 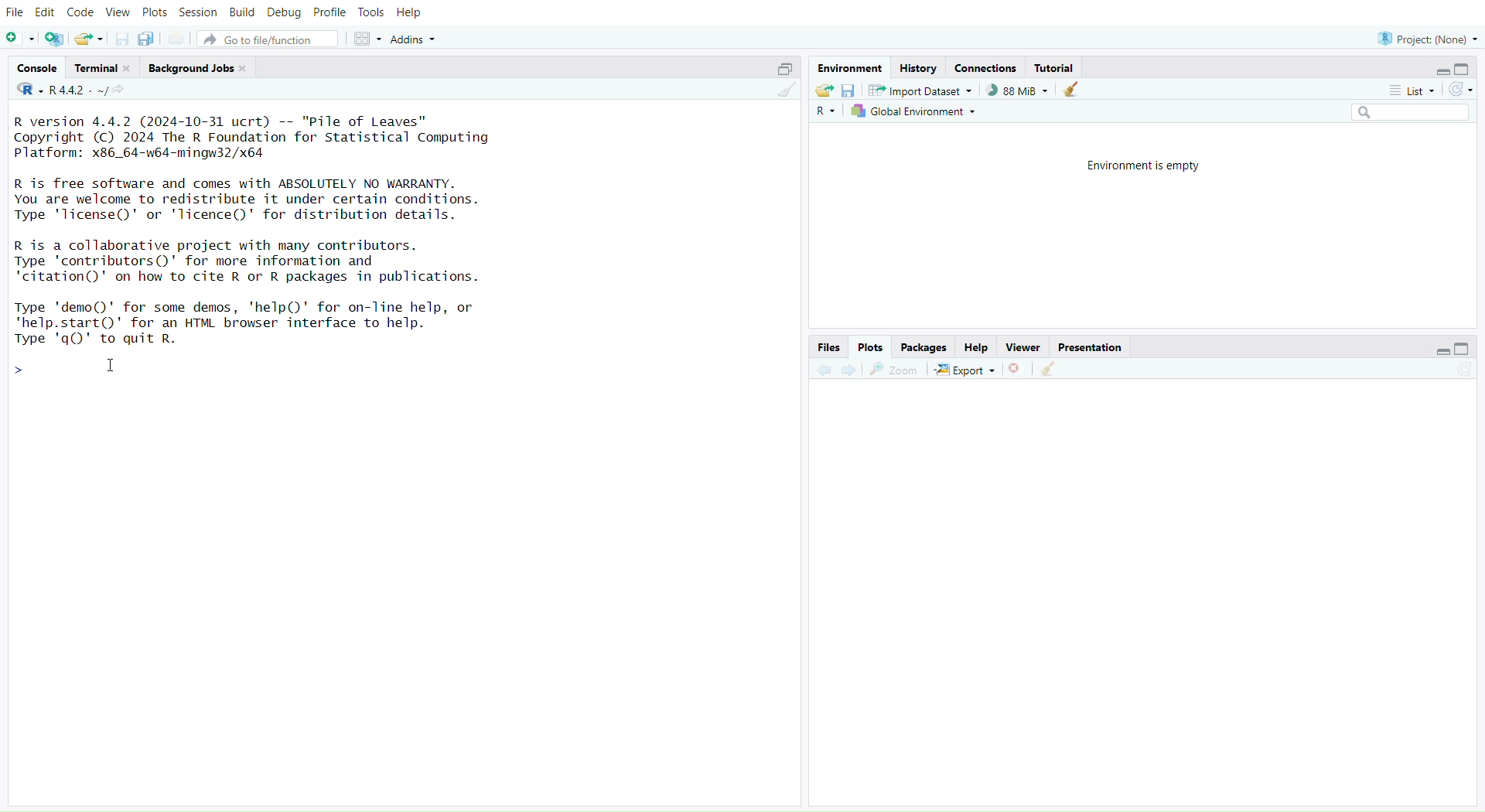 I want to click on code, so click(x=80, y=12).